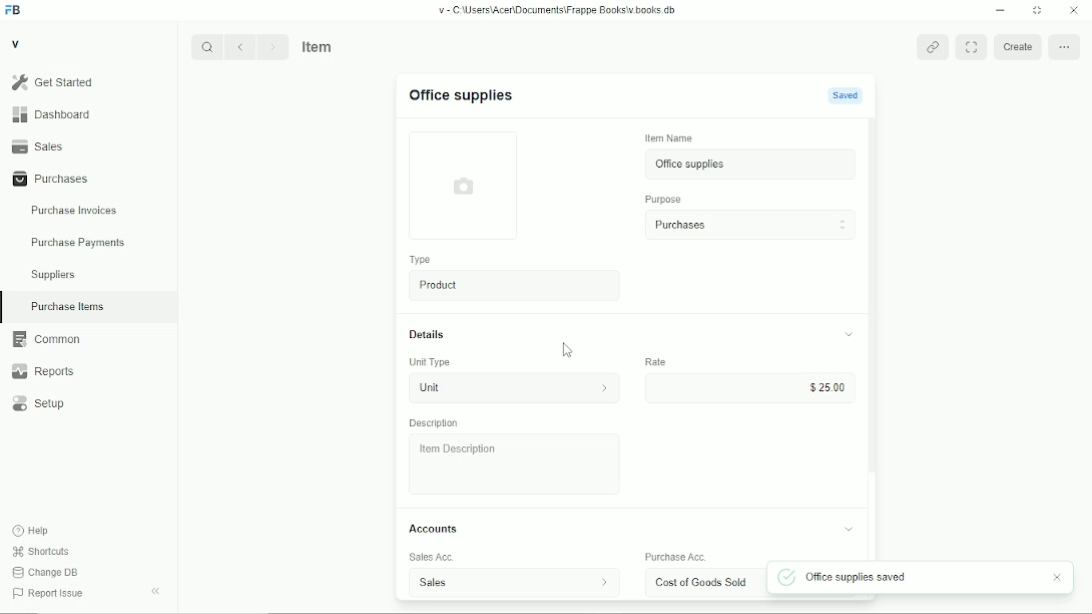  Describe the element at coordinates (67, 307) in the screenshot. I see `purchase items` at that location.